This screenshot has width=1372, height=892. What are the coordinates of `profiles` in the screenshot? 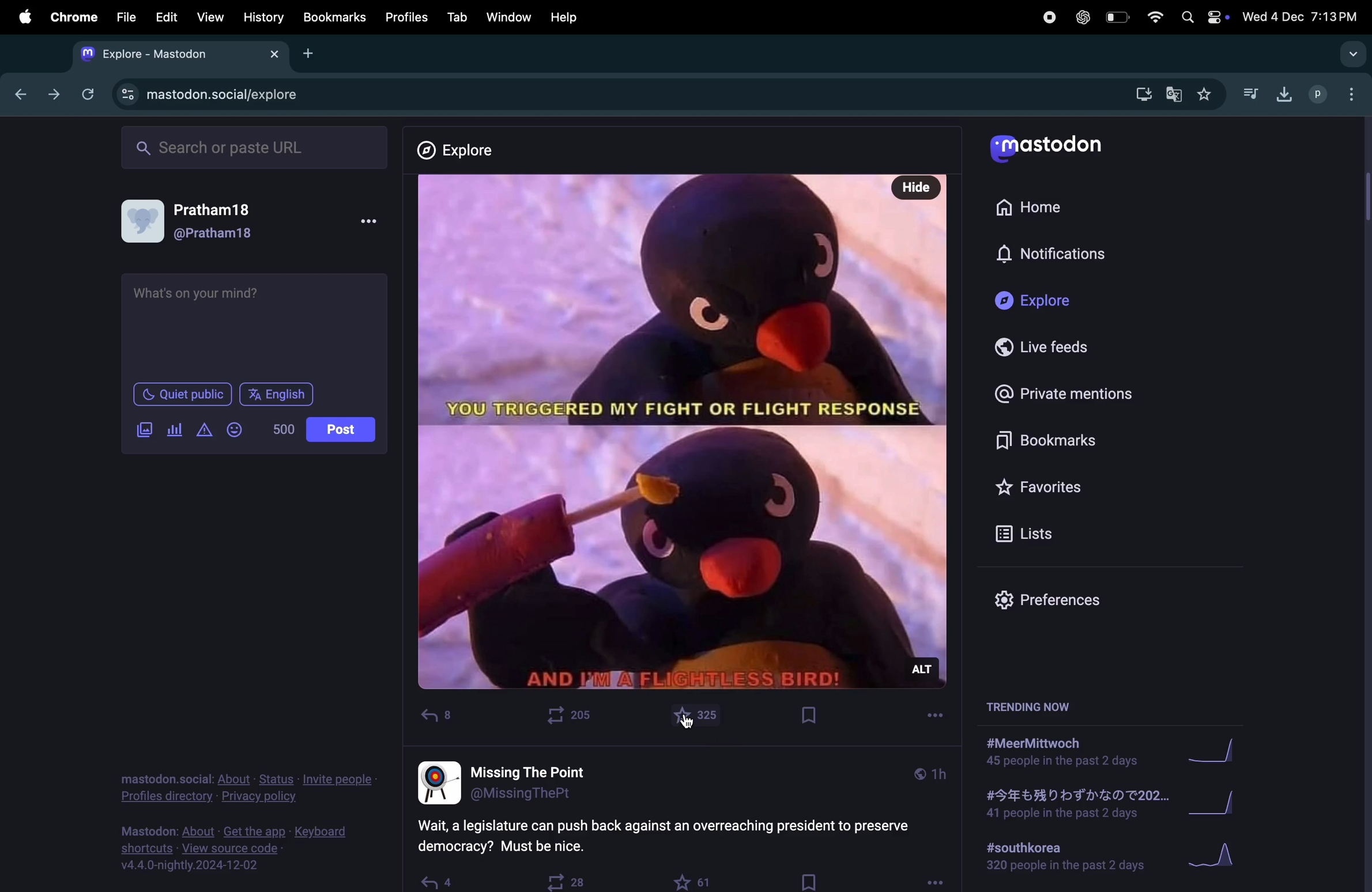 It's located at (409, 18).